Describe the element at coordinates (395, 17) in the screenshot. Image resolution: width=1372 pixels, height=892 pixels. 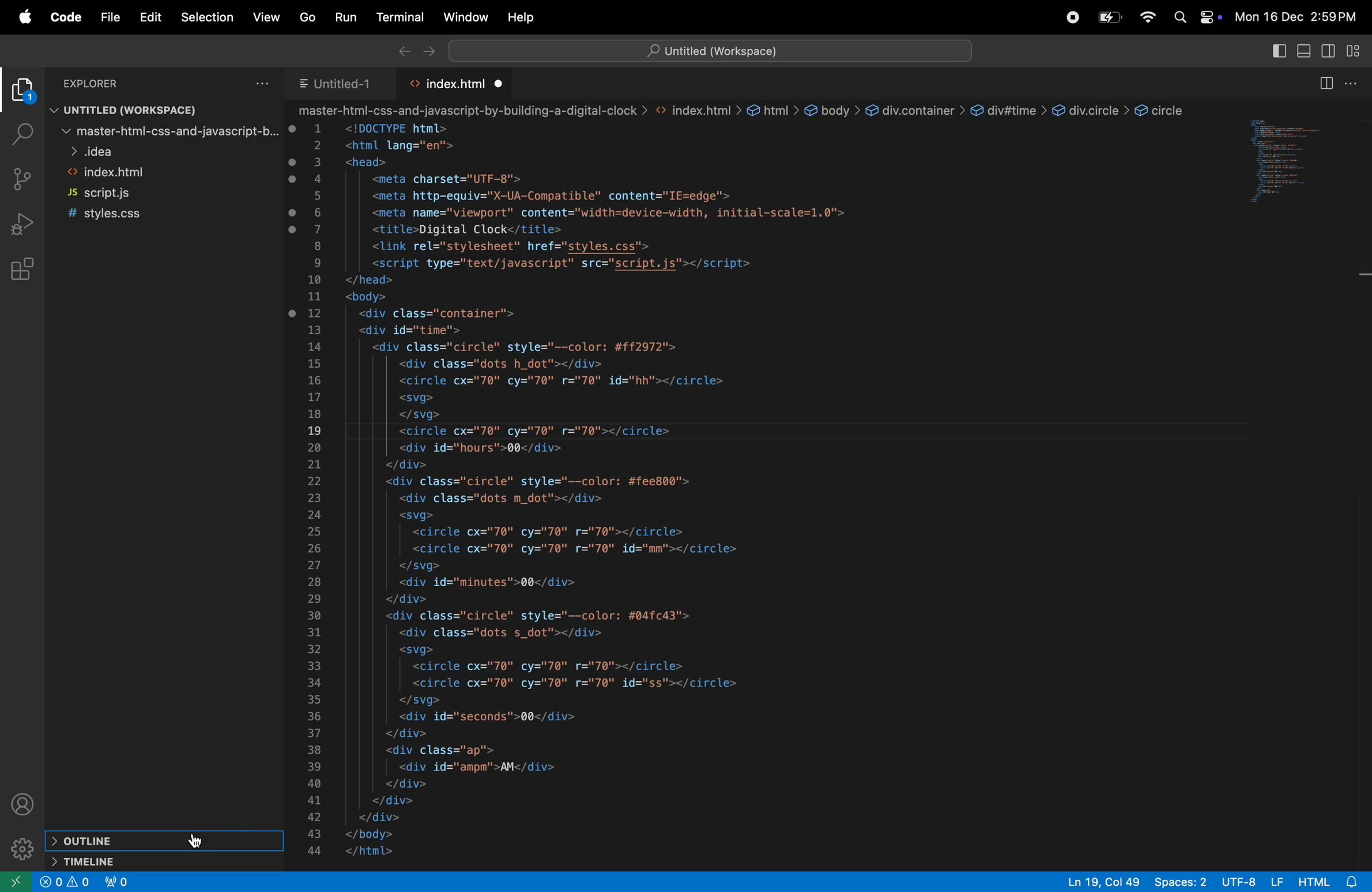
I see `terminal` at that location.